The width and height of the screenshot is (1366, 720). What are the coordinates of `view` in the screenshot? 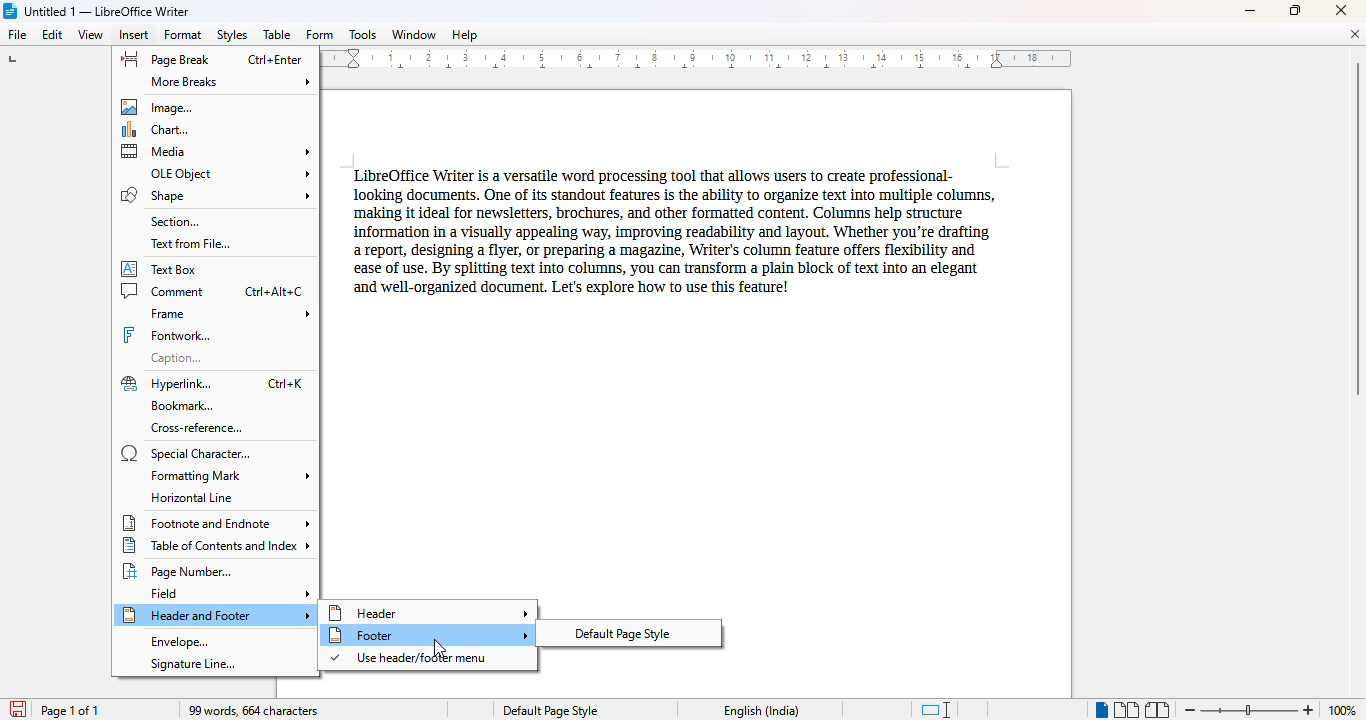 It's located at (90, 35).